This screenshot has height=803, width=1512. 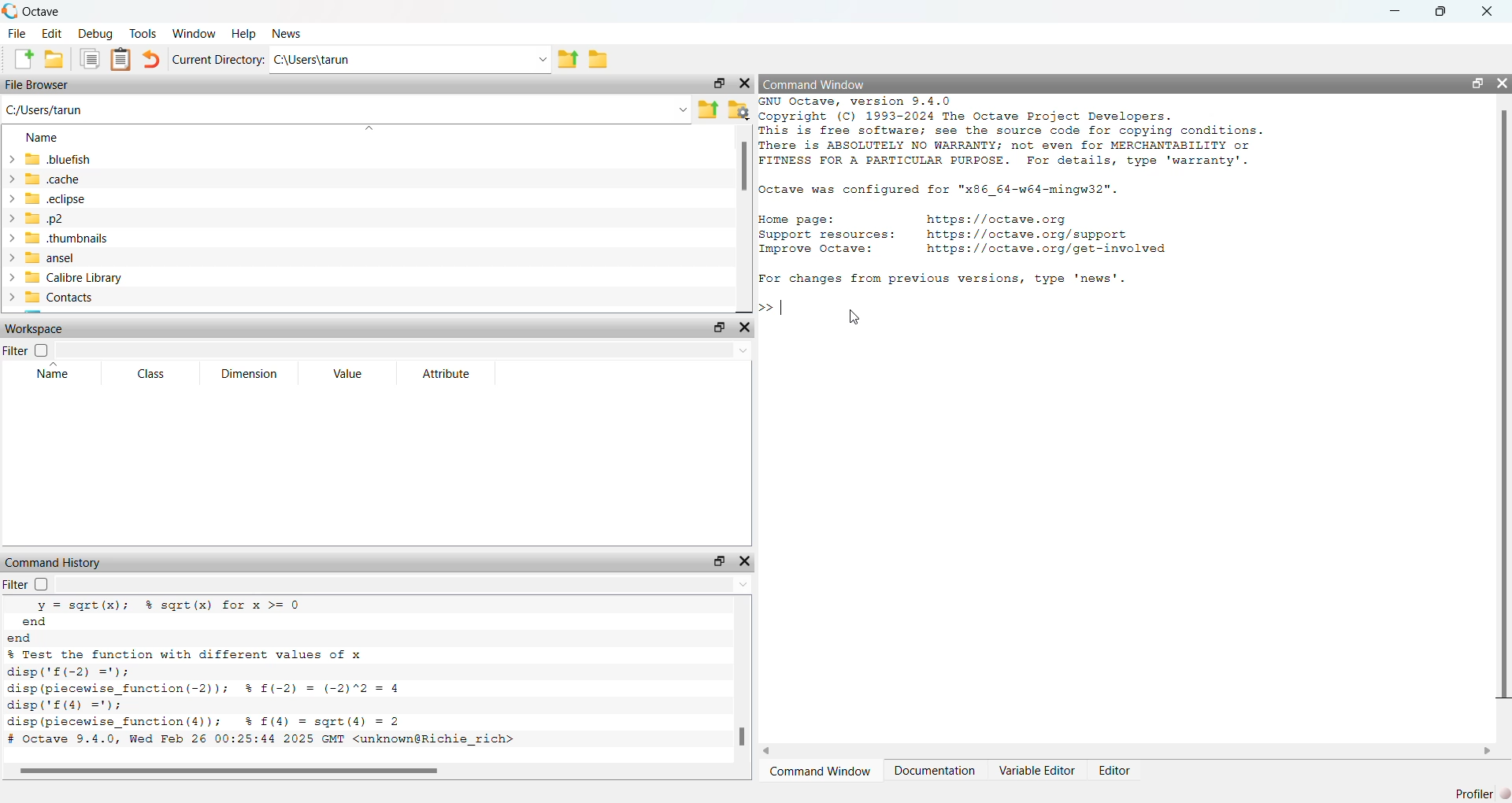 I want to click on One directory up, so click(x=569, y=60).